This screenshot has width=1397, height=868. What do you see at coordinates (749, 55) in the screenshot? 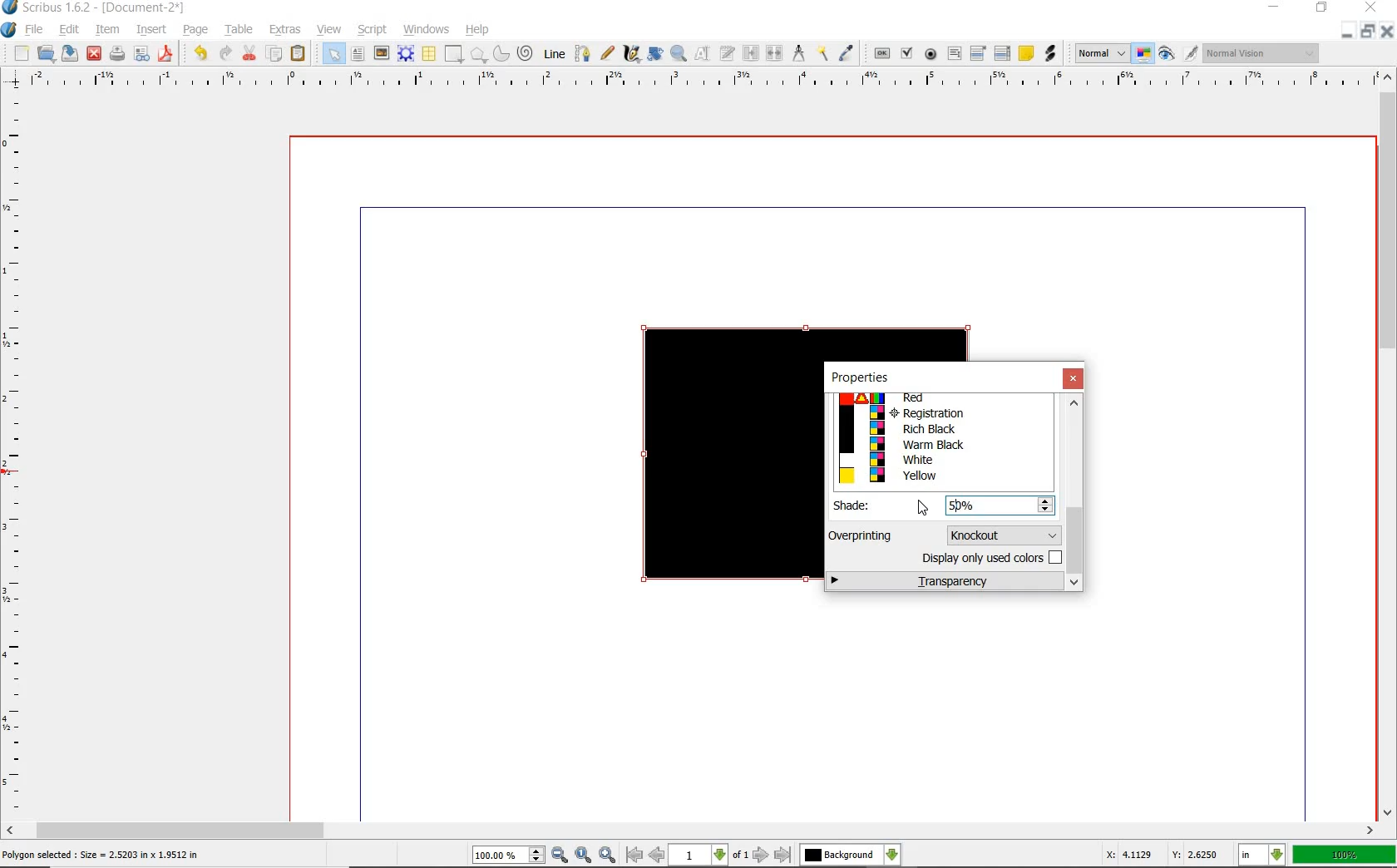
I see `link text frames` at bounding box center [749, 55].